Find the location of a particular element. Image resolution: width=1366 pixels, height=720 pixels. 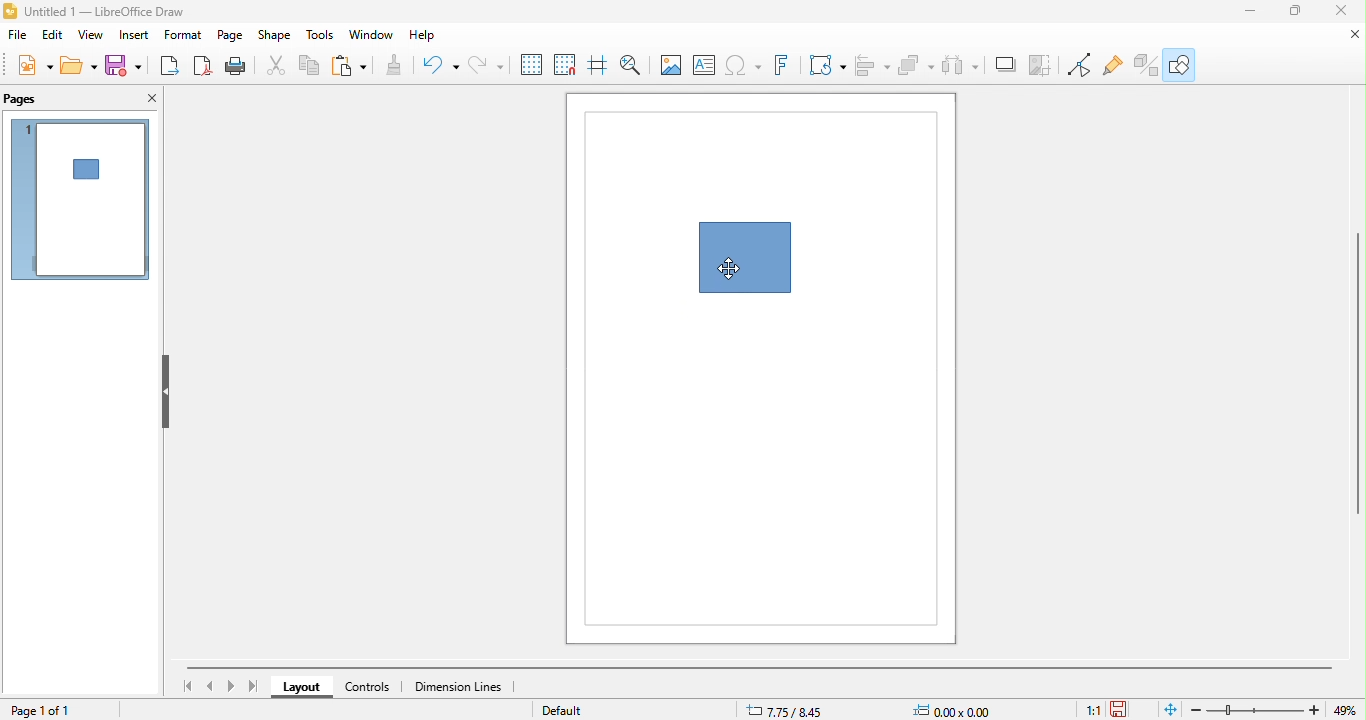

export directly as pdf is located at coordinates (199, 66).